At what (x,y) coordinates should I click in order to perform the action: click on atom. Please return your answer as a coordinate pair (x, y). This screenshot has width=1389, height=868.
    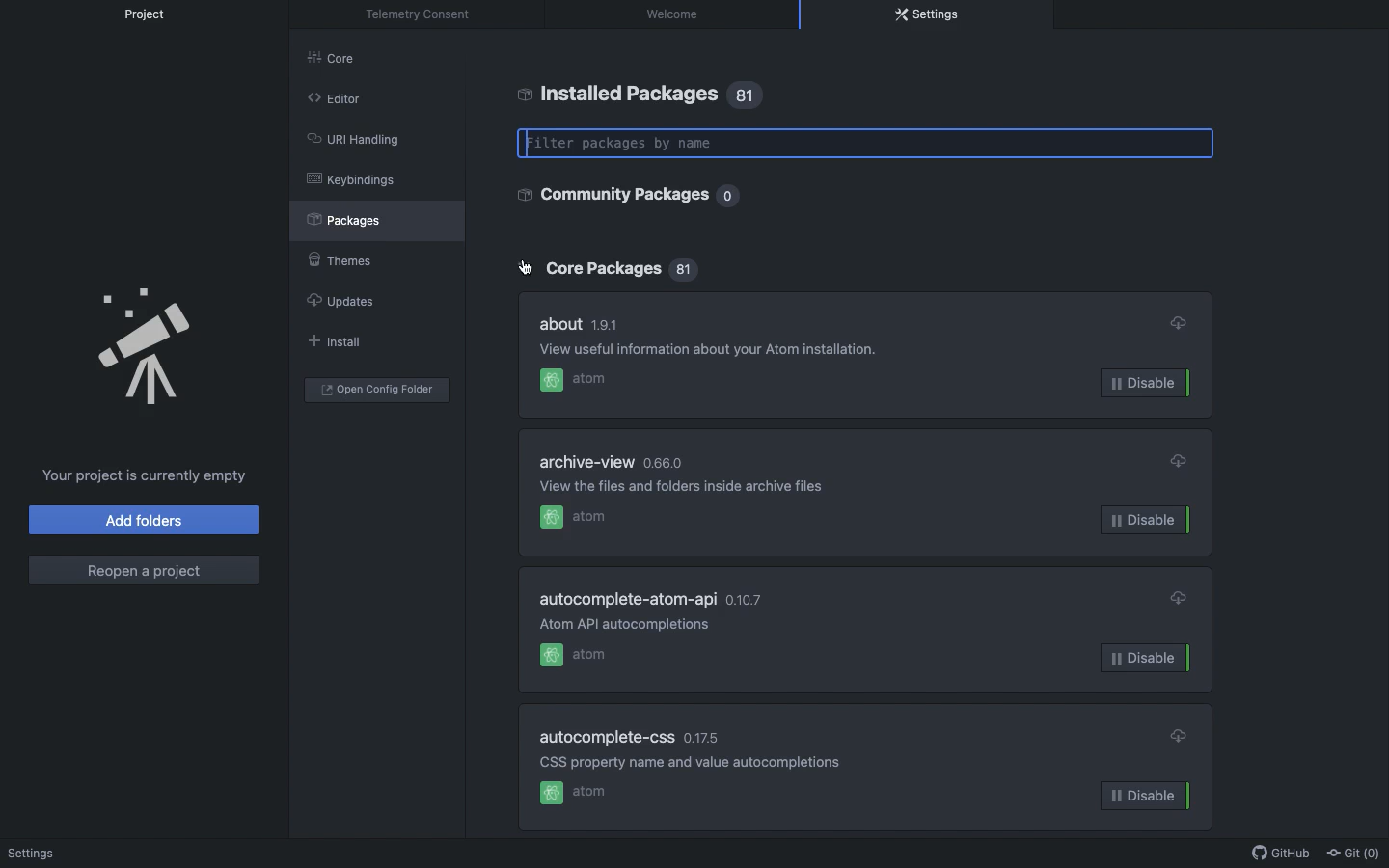
    Looking at the image, I should click on (573, 518).